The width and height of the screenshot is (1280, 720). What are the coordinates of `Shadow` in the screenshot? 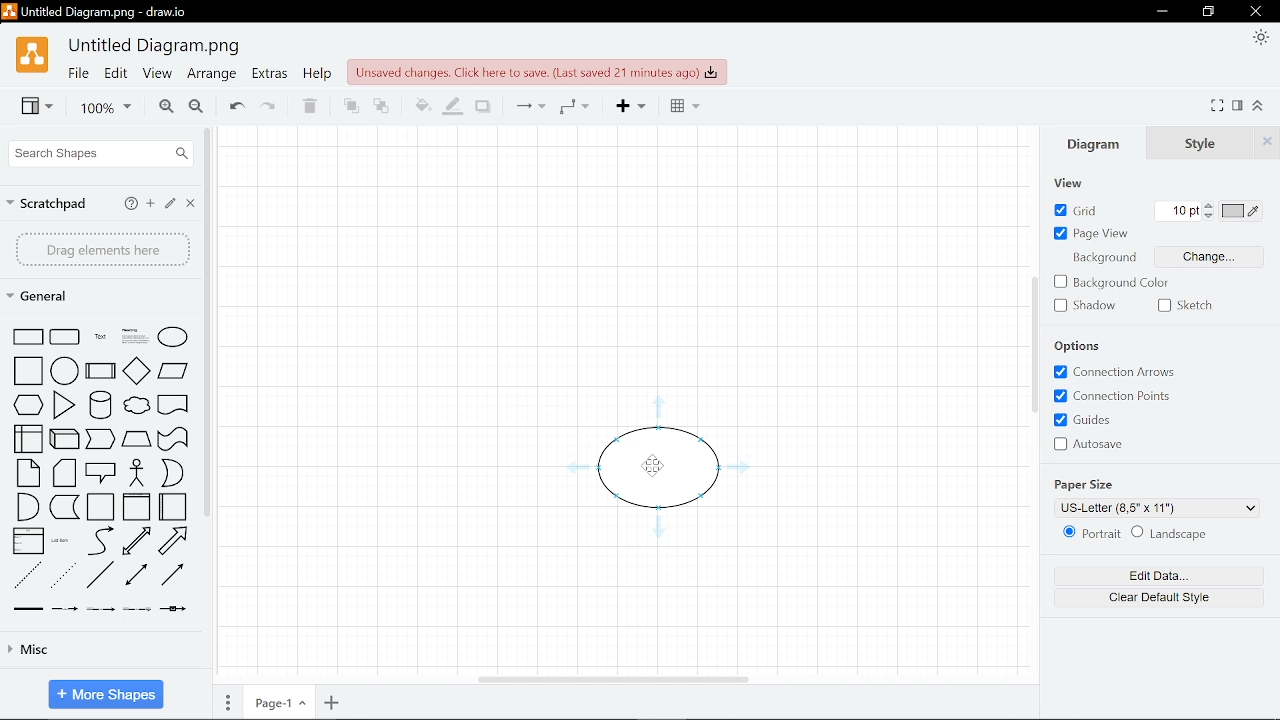 It's located at (1084, 306).